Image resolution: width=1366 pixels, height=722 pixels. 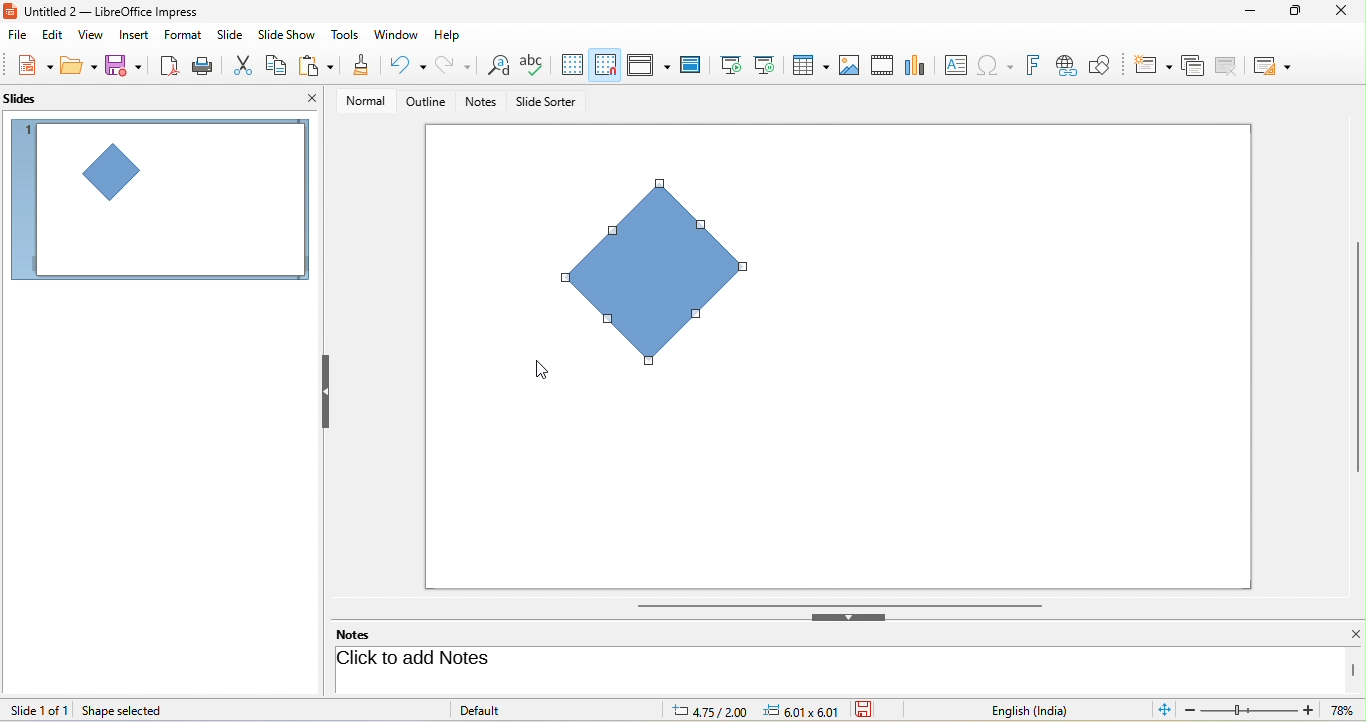 What do you see at coordinates (290, 35) in the screenshot?
I see `slide show` at bounding box center [290, 35].